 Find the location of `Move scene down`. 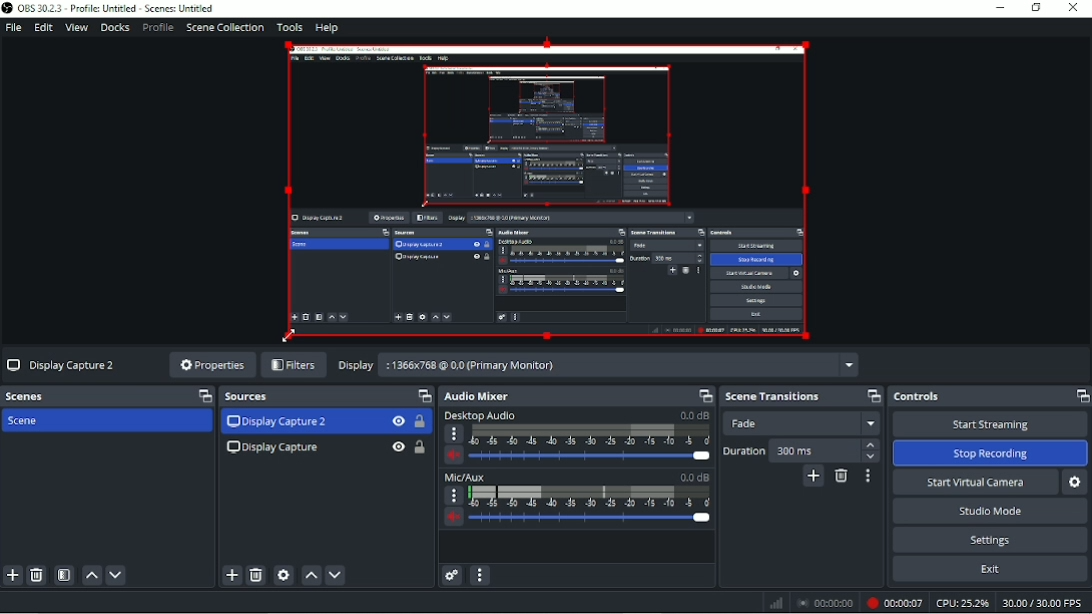

Move scene down is located at coordinates (115, 575).